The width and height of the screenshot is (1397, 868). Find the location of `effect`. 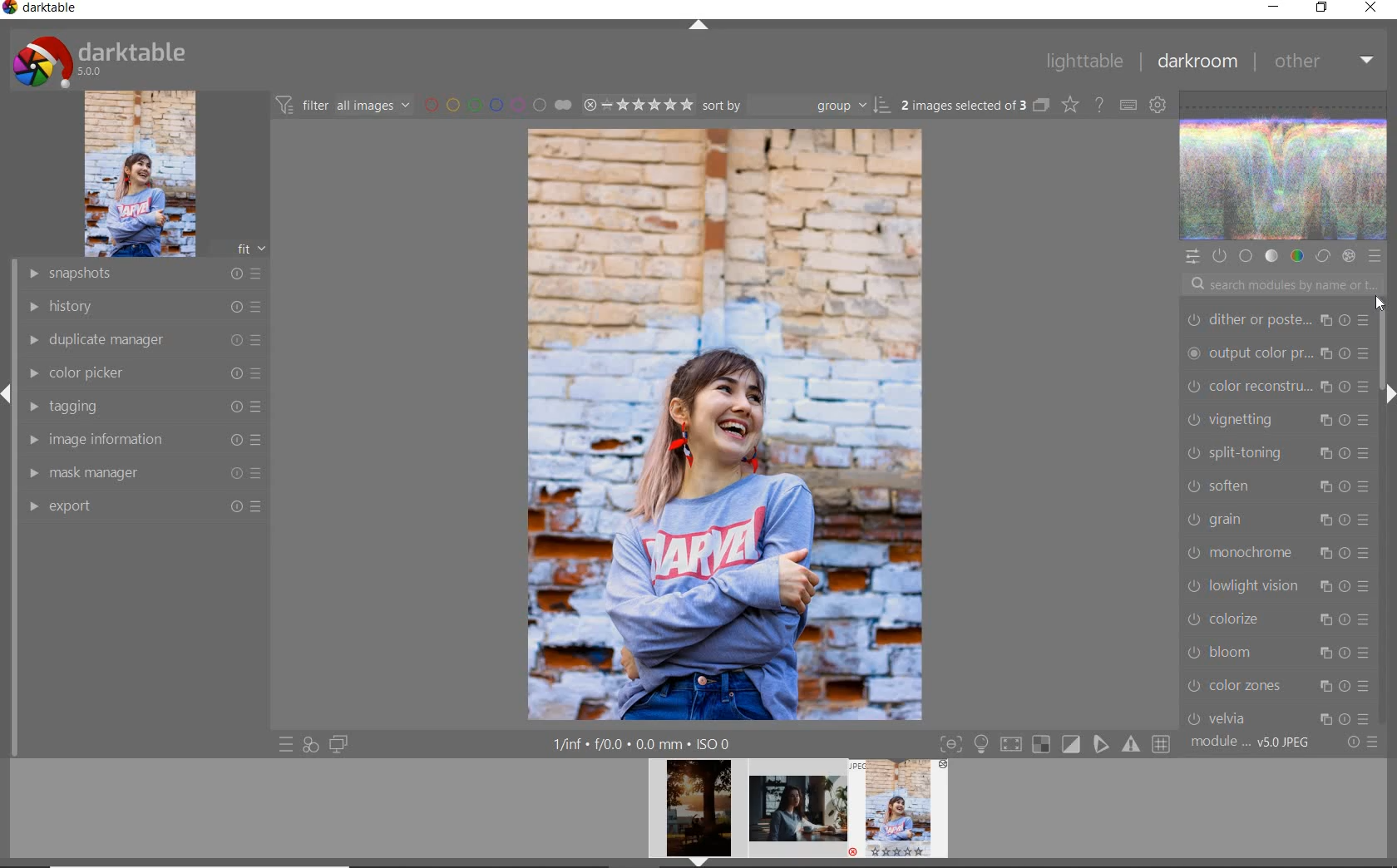

effect is located at coordinates (1348, 256).